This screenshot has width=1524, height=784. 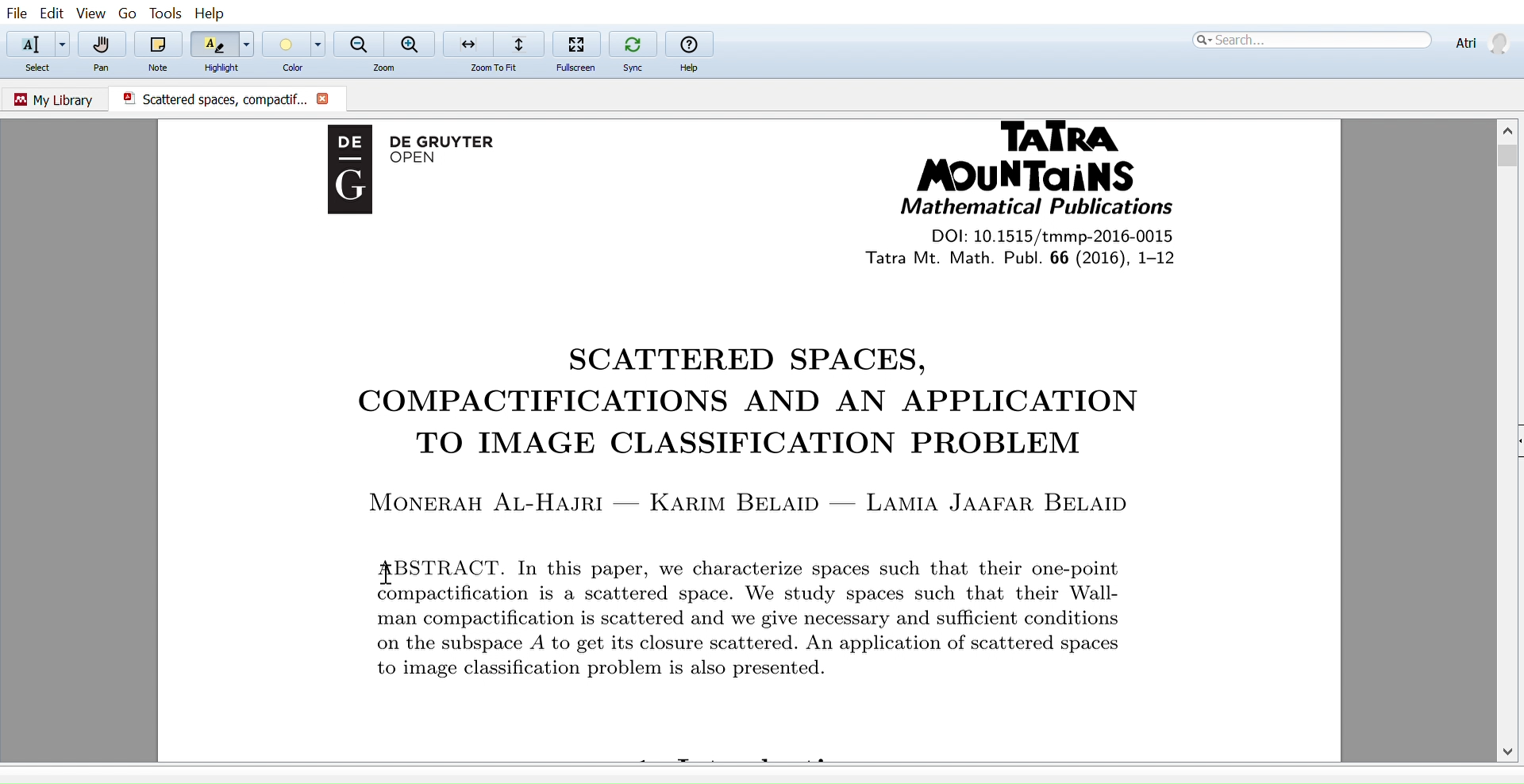 I want to click on Cursor, so click(x=388, y=572).